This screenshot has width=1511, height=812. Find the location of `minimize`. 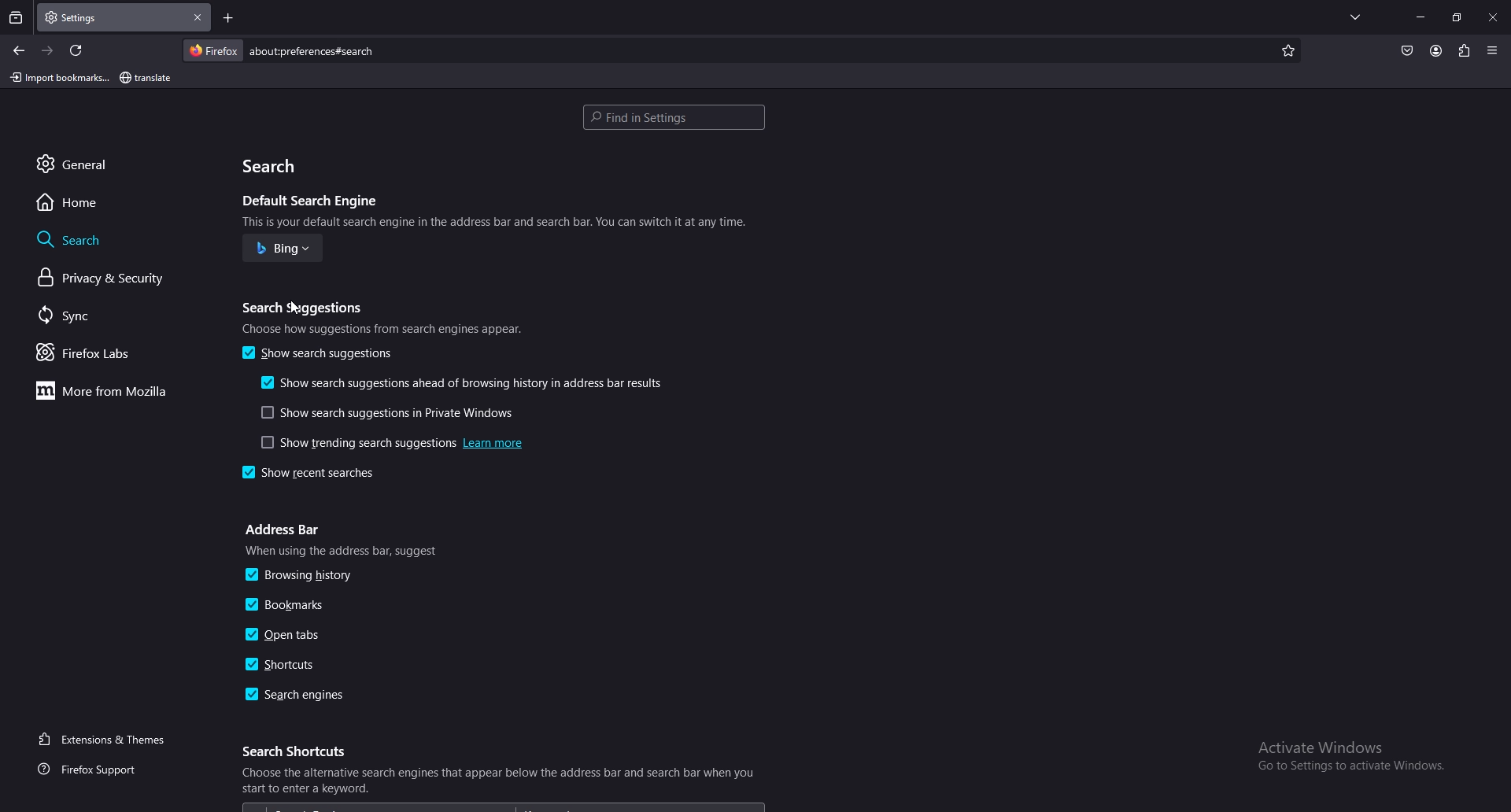

minimize is located at coordinates (1420, 17).